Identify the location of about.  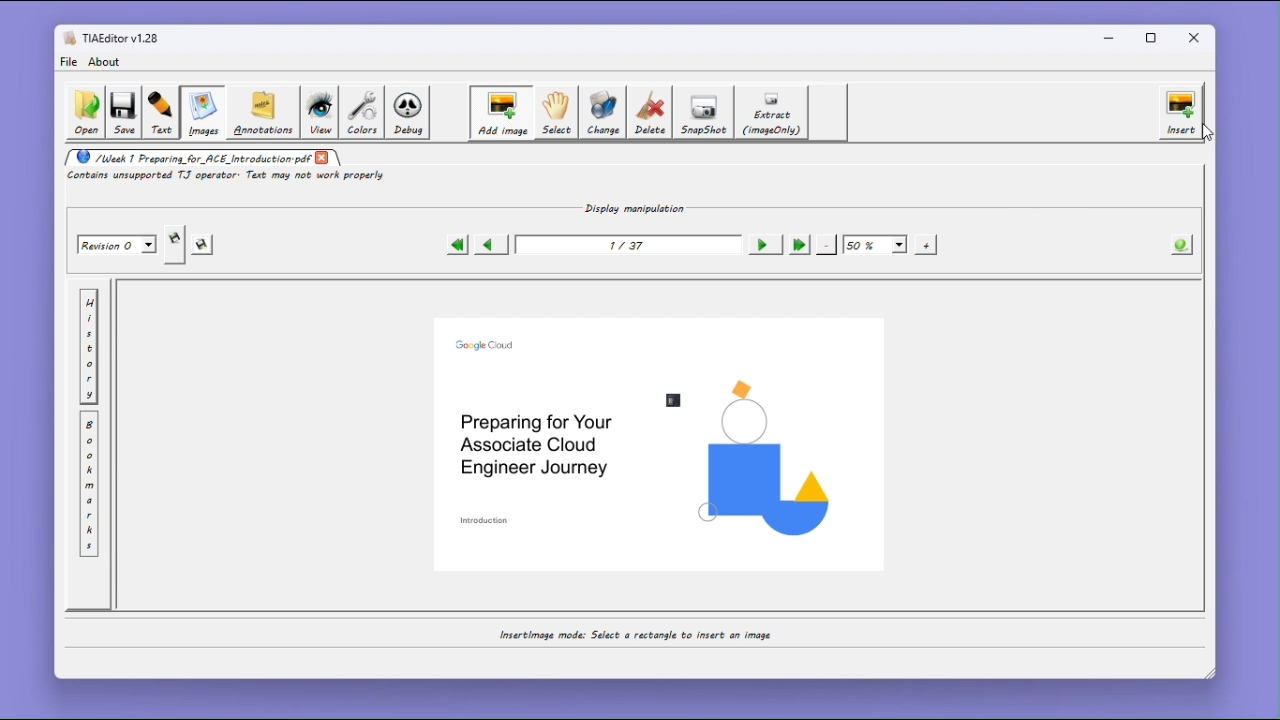
(107, 62).